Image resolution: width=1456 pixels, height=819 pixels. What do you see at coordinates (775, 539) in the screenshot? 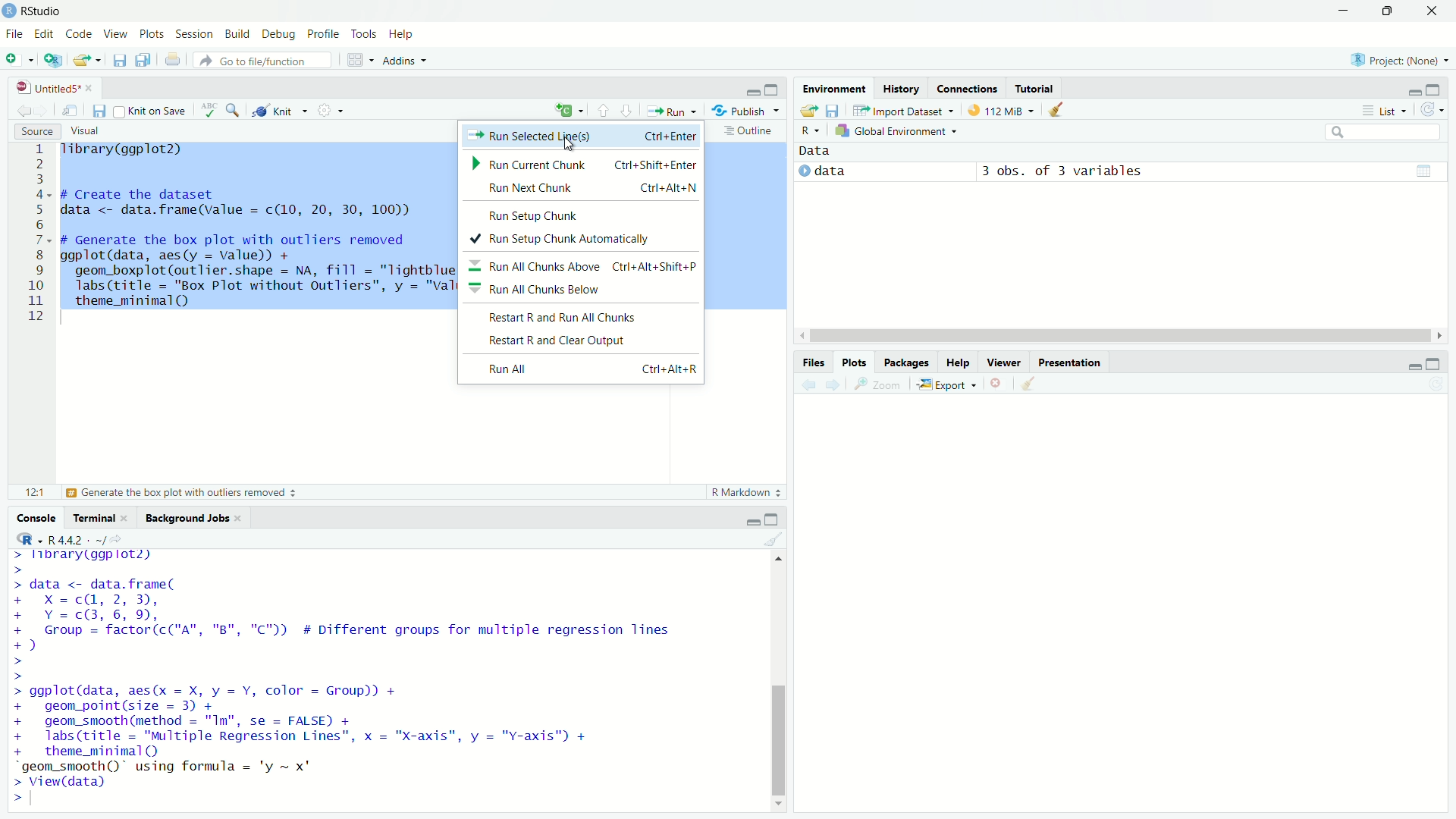
I see `clear` at bounding box center [775, 539].